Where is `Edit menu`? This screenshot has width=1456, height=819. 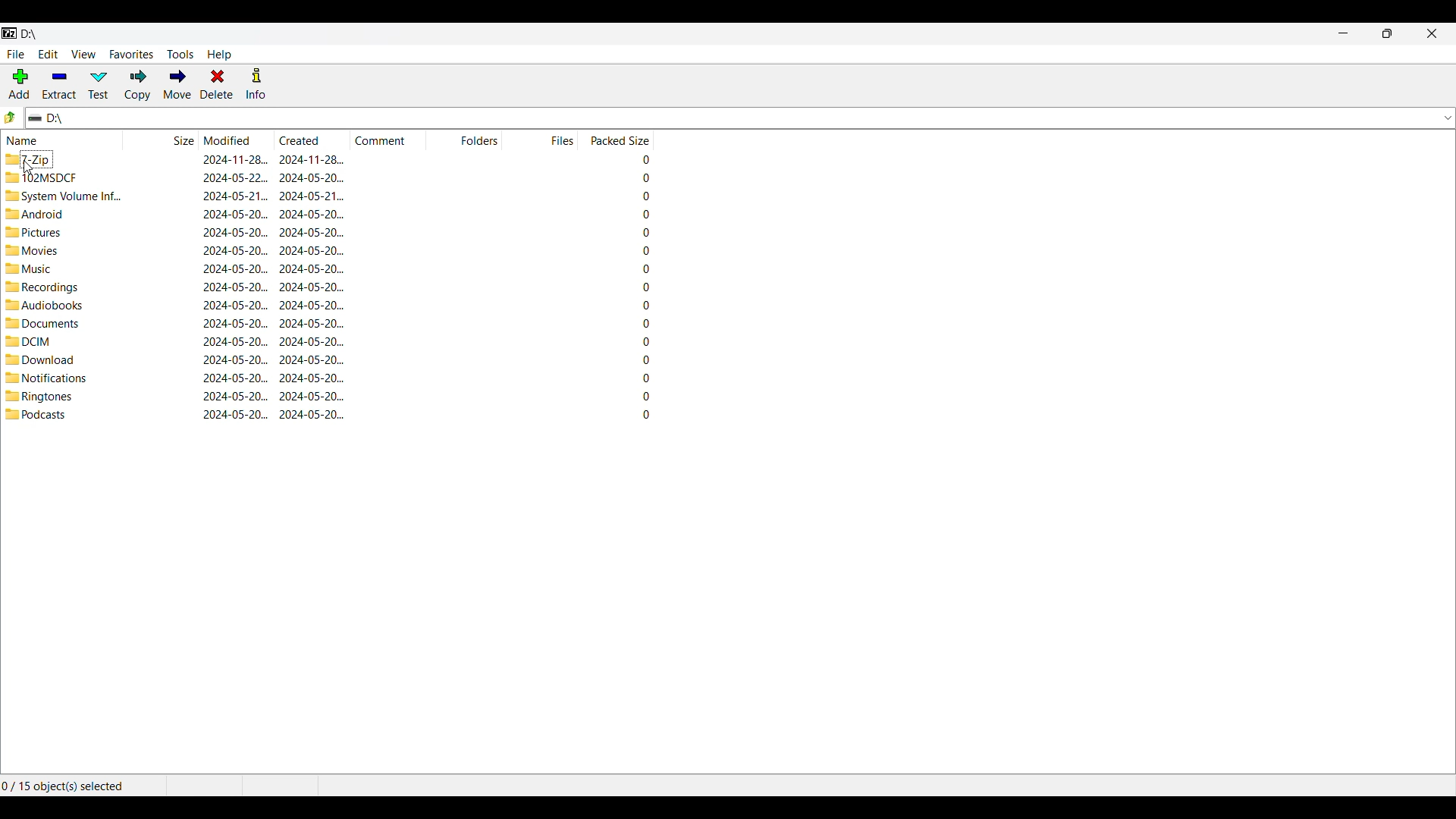
Edit menu is located at coordinates (49, 54).